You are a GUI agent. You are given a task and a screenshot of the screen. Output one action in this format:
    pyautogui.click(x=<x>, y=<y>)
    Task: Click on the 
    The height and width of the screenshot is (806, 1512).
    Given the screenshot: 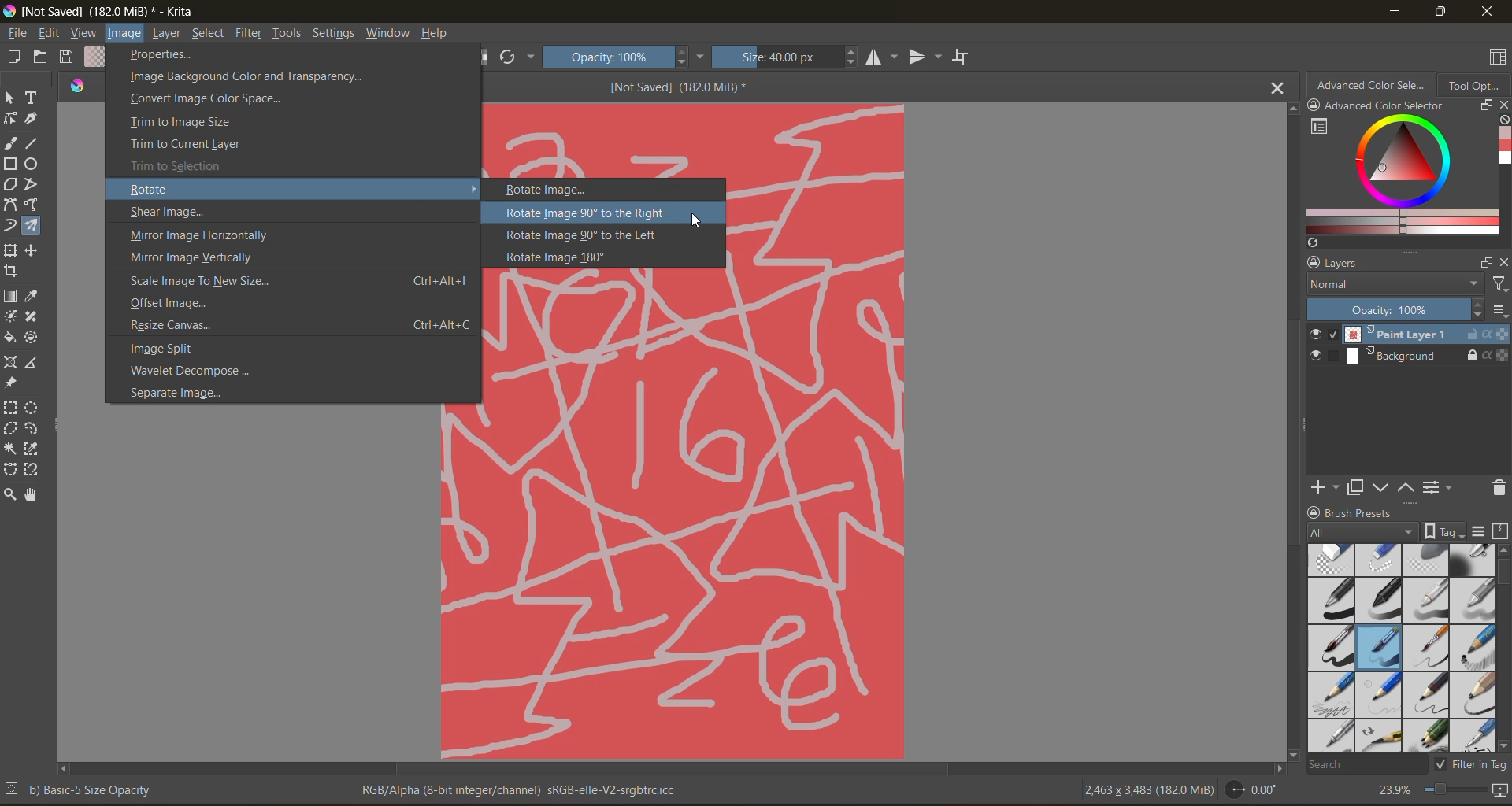 What is the action you would take?
    pyautogui.click(x=673, y=583)
    